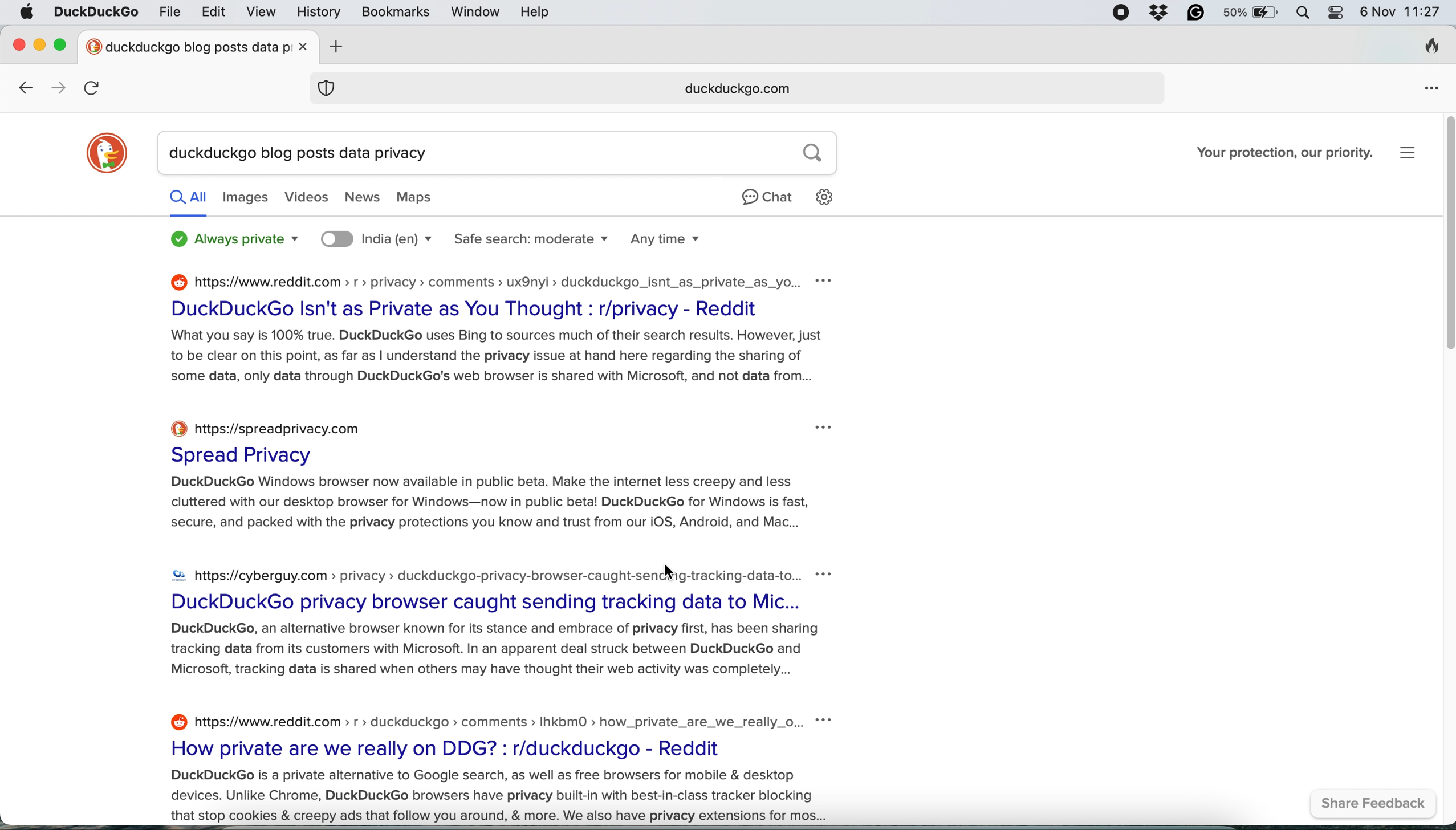  What do you see at coordinates (97, 12) in the screenshot?
I see `duckduckgo` at bounding box center [97, 12].